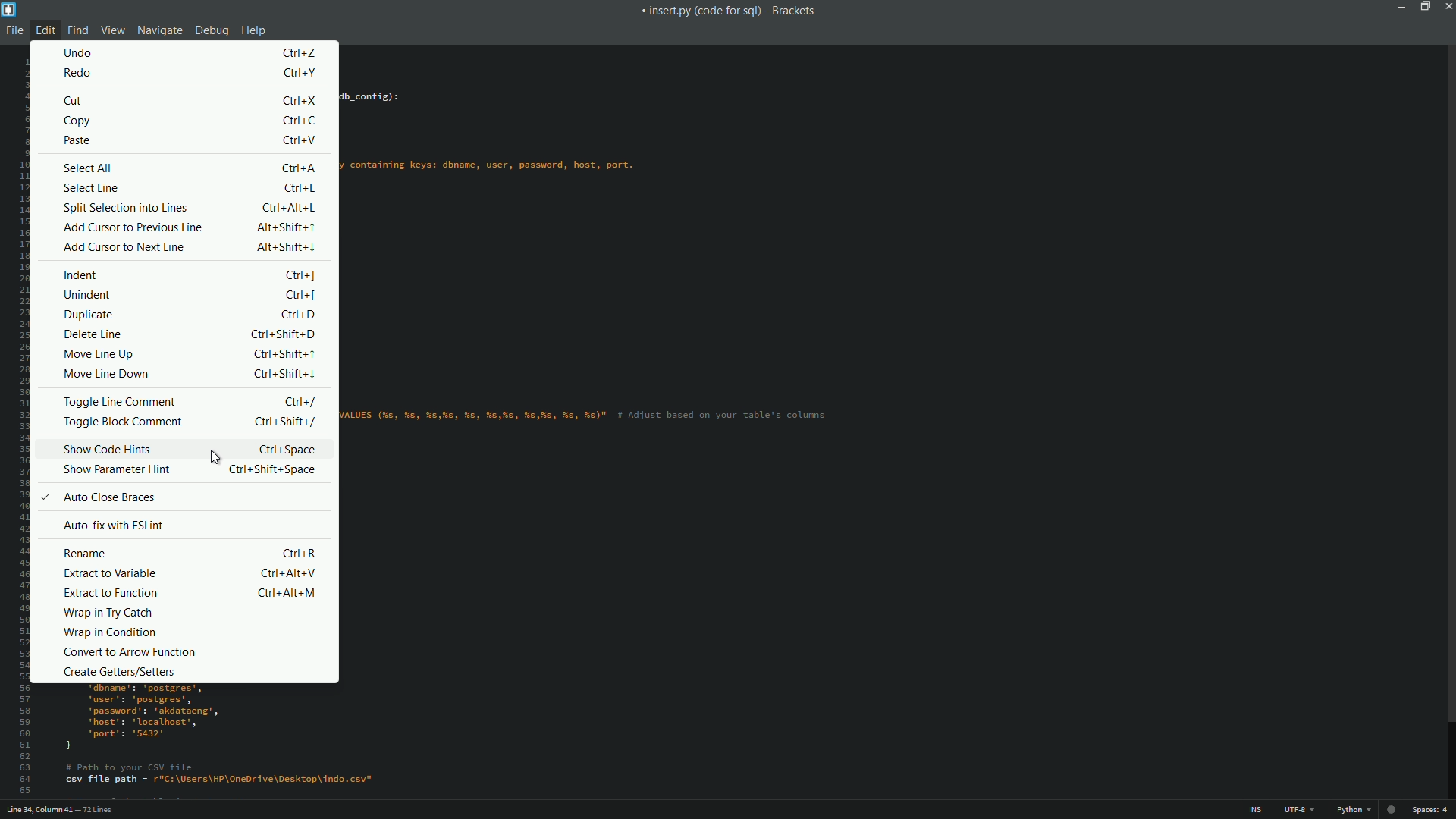 Image resolution: width=1456 pixels, height=819 pixels. I want to click on keyboard shortcut, so click(301, 187).